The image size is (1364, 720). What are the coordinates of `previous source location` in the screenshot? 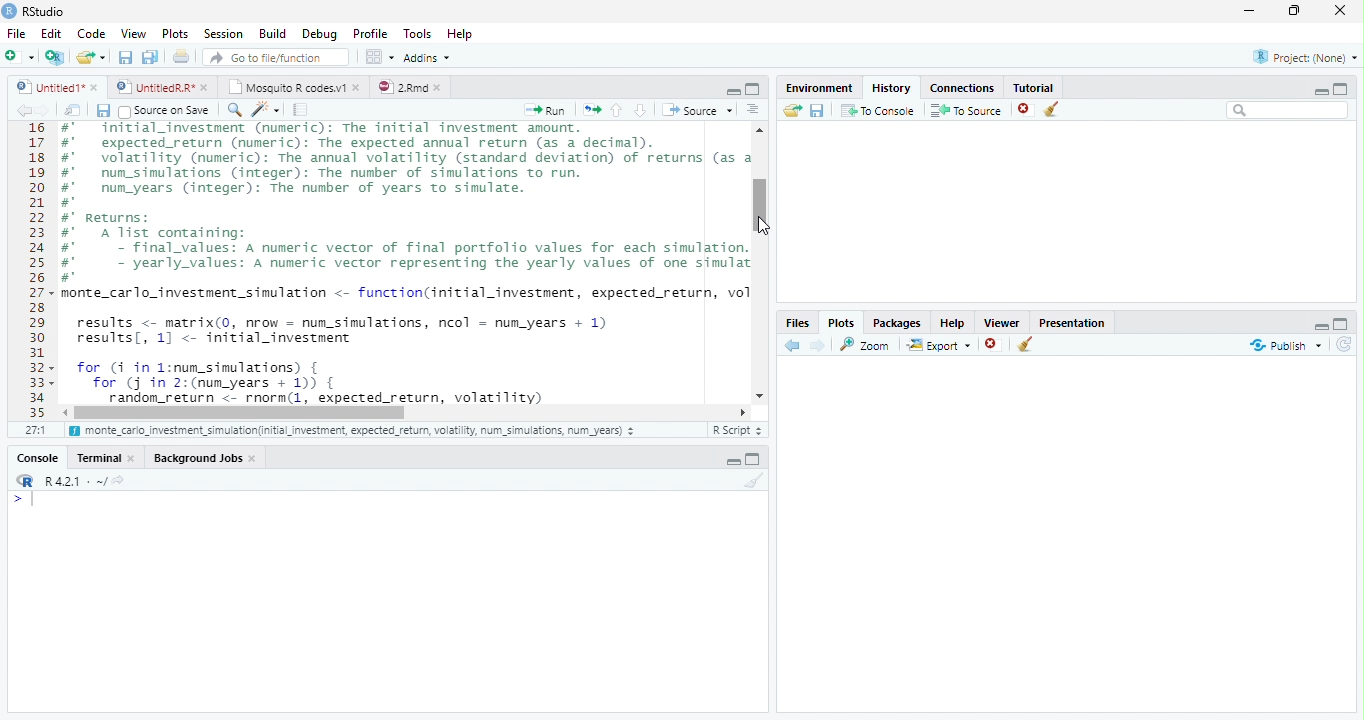 It's located at (23, 110).